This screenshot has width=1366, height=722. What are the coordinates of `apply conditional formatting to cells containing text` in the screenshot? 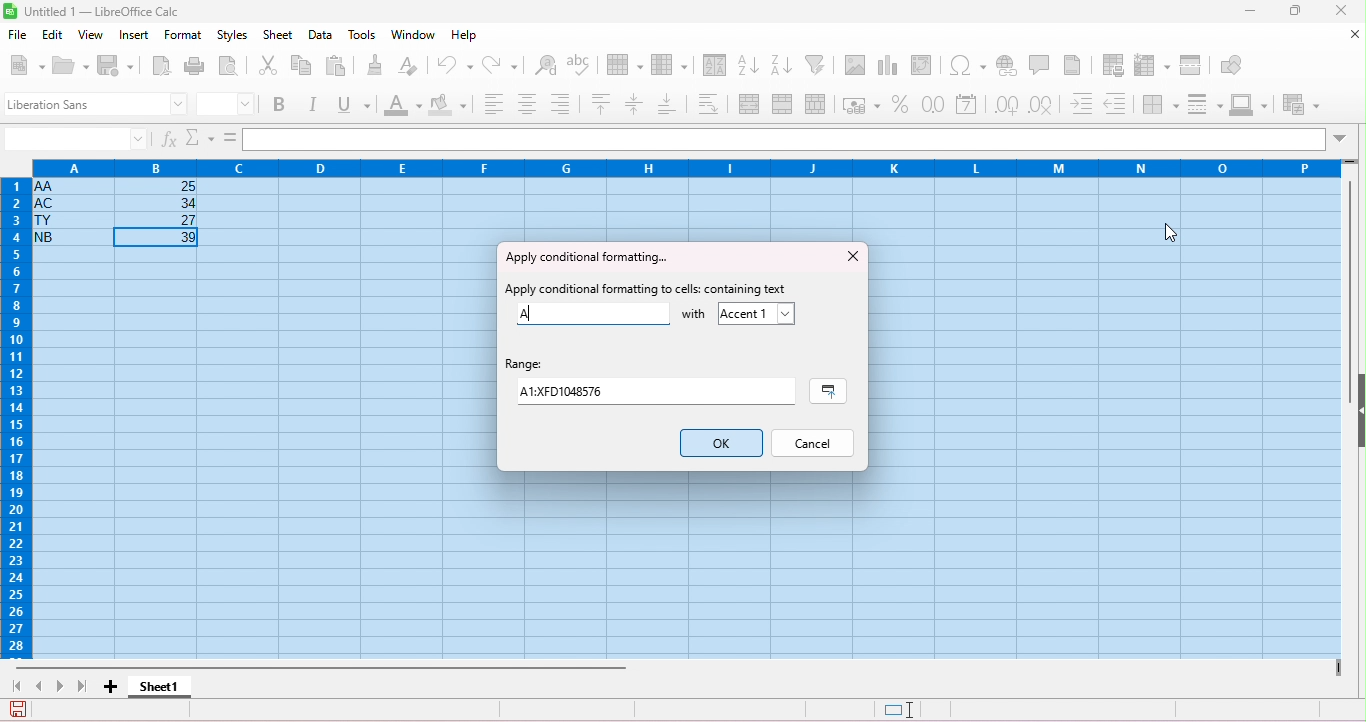 It's located at (651, 289).